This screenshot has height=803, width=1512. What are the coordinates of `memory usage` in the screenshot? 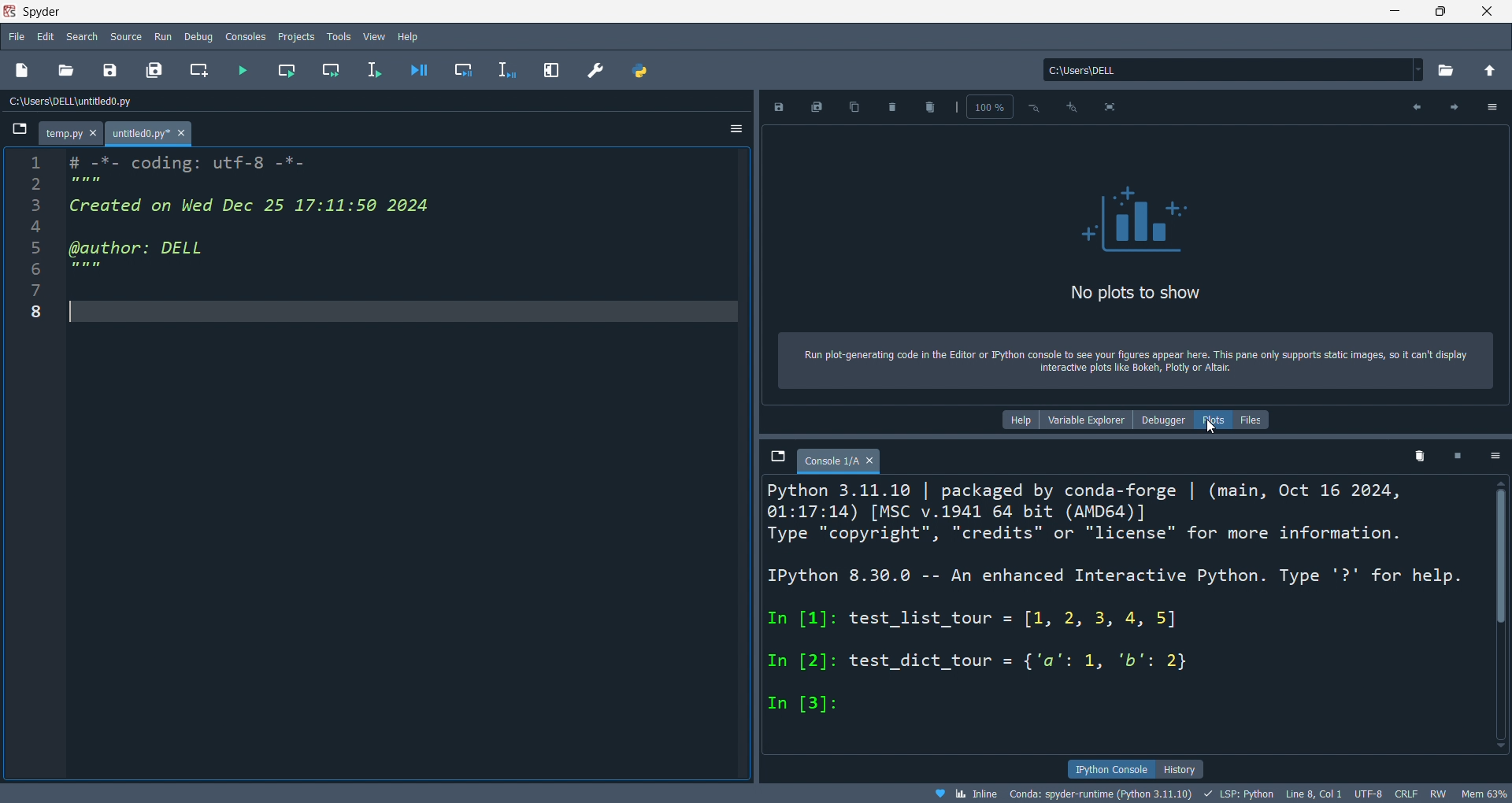 It's located at (1483, 794).